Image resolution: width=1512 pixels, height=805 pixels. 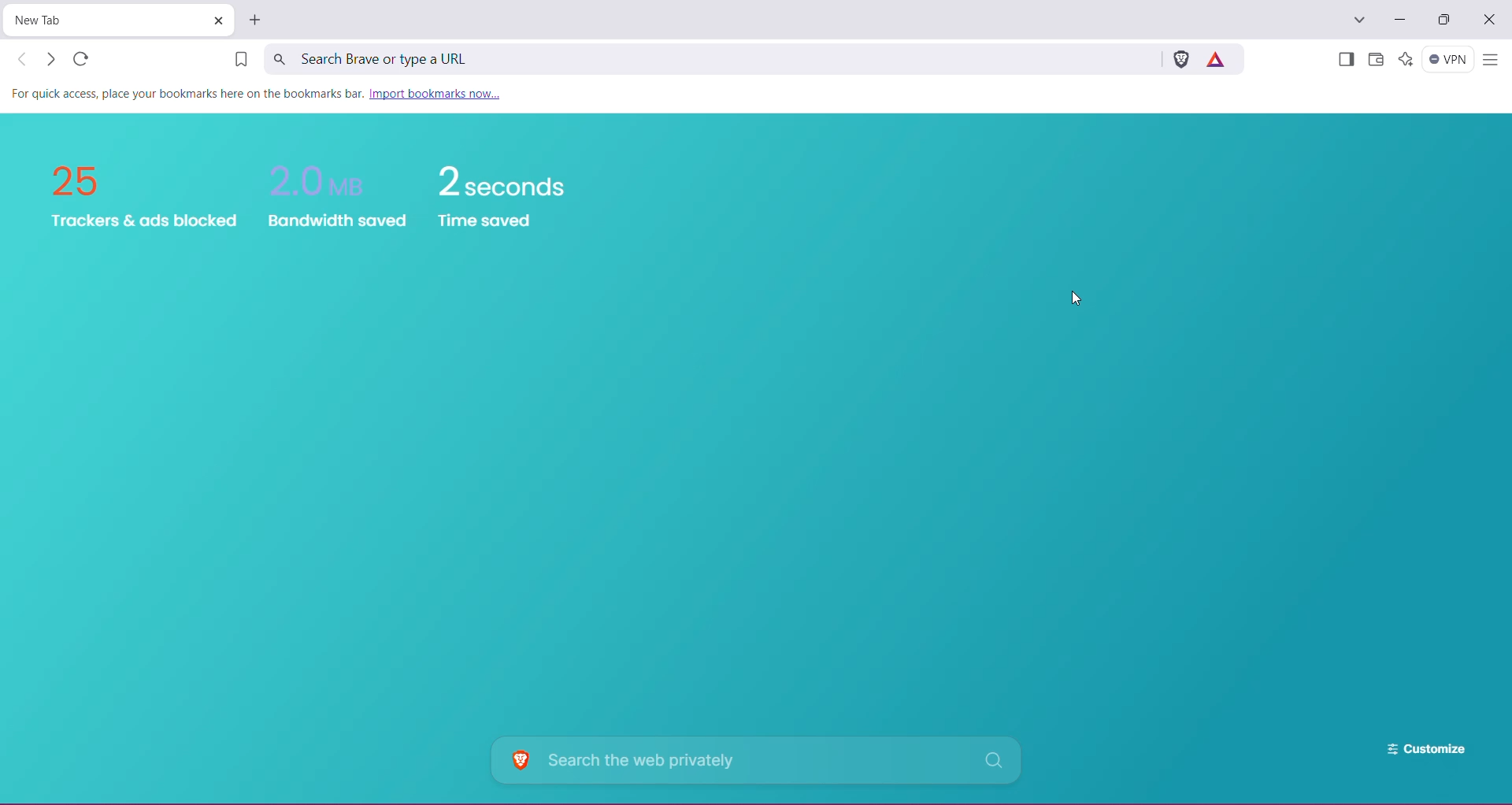 What do you see at coordinates (1360, 20) in the screenshot?
I see `Search Tabs` at bounding box center [1360, 20].